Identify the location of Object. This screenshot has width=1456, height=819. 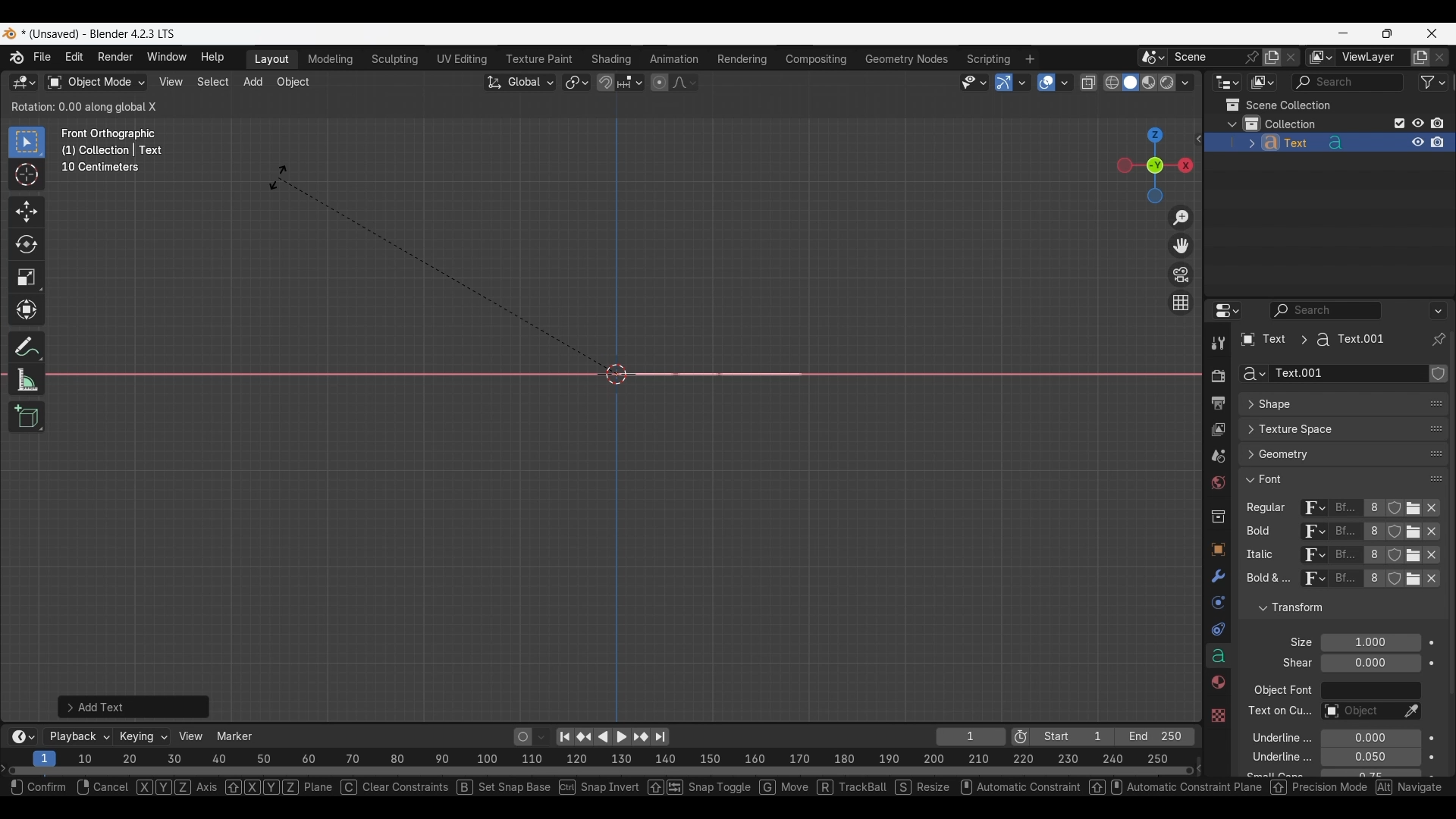
(1217, 550).